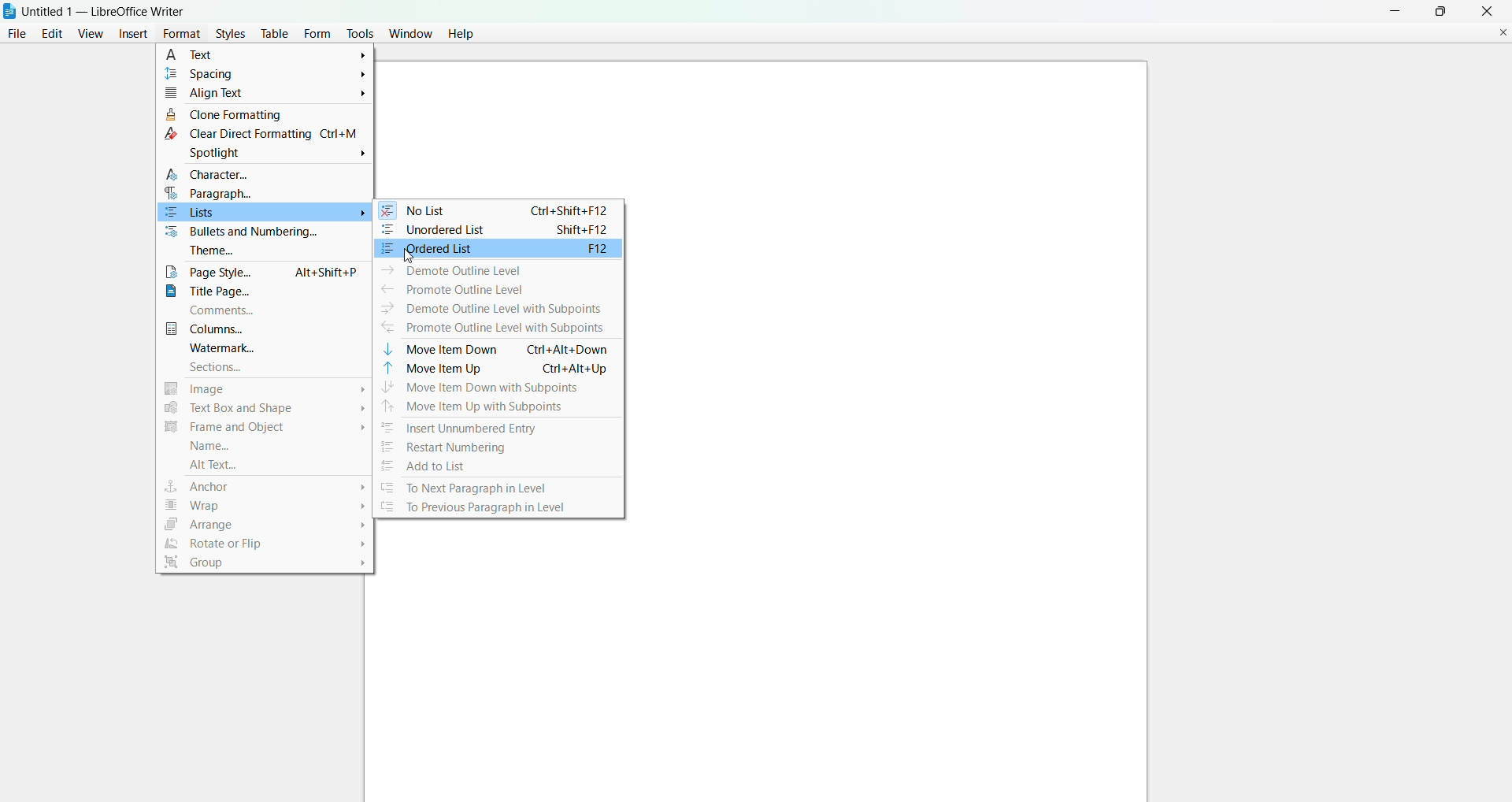 The width and height of the screenshot is (1512, 802). Describe the element at coordinates (264, 76) in the screenshot. I see `spacing` at that location.